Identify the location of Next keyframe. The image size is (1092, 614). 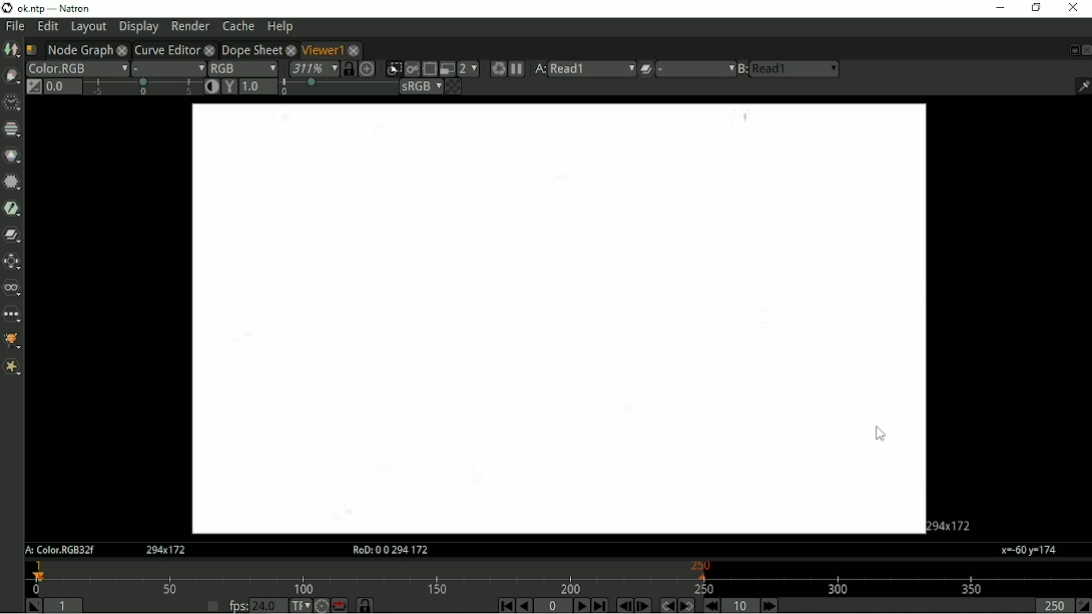
(687, 605).